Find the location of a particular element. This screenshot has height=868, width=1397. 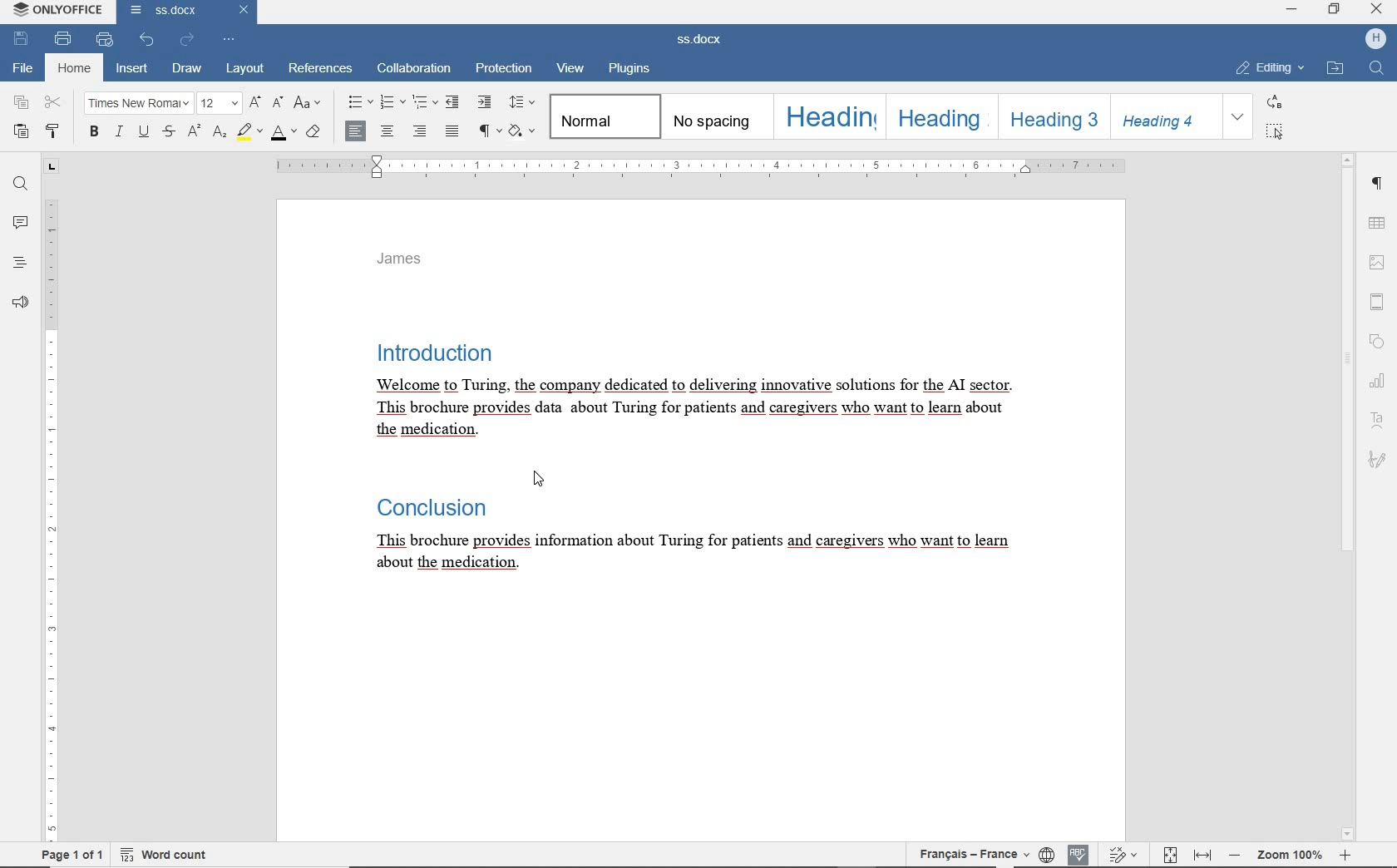

FEEDBACK & SUPPORT is located at coordinates (19, 303).